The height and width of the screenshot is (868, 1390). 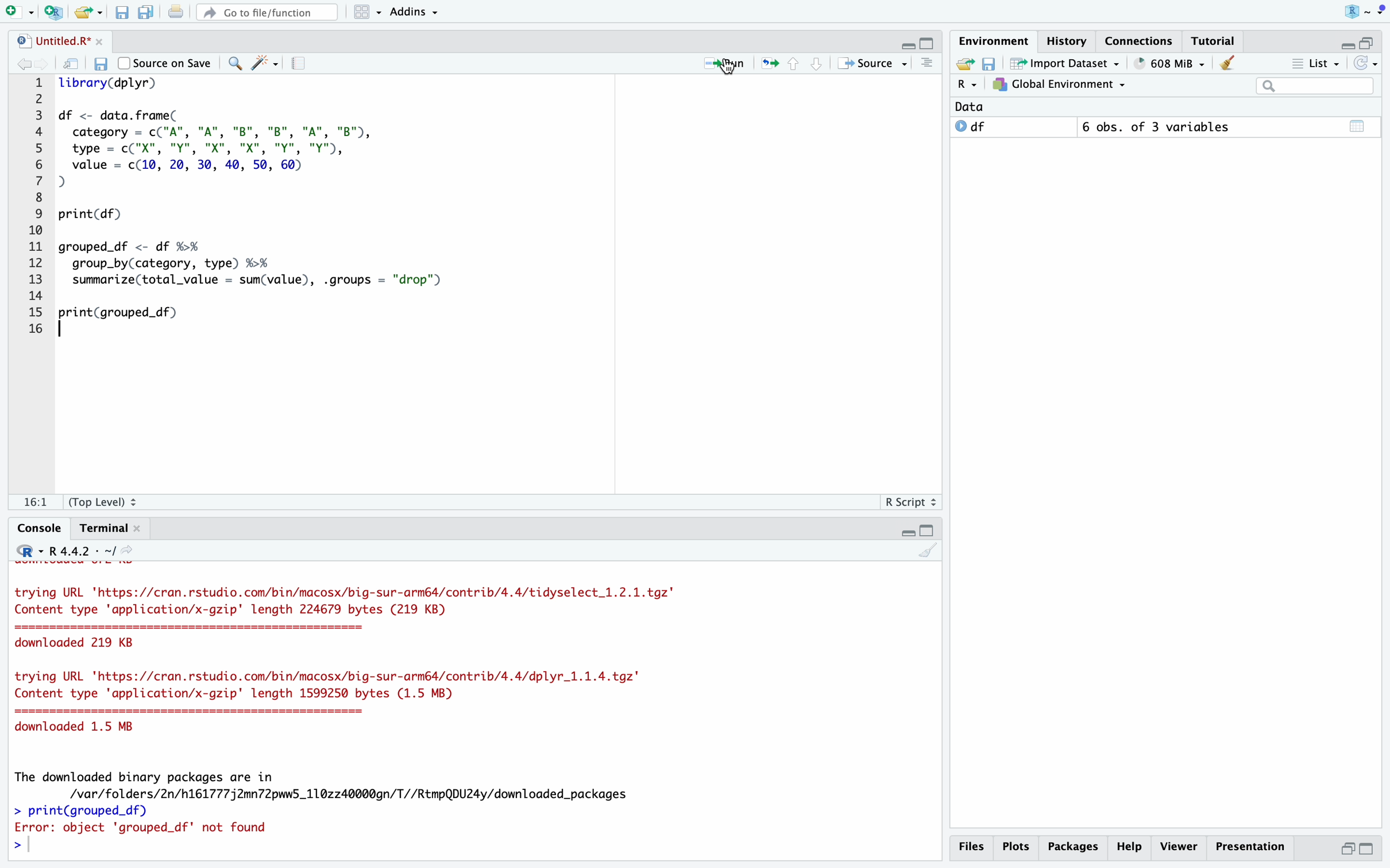 What do you see at coordinates (994, 40) in the screenshot?
I see `Environment` at bounding box center [994, 40].